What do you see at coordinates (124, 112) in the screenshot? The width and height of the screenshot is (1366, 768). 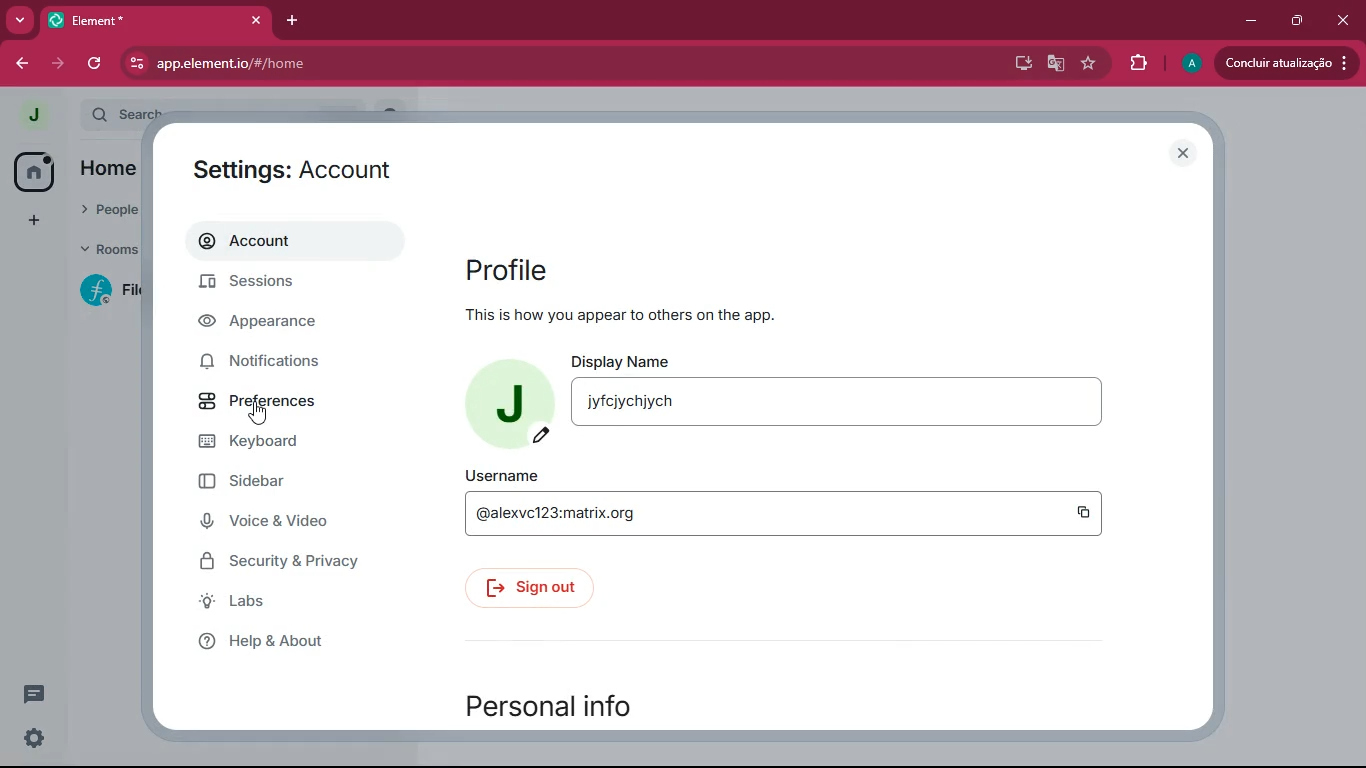 I see `search ctrl` at bounding box center [124, 112].